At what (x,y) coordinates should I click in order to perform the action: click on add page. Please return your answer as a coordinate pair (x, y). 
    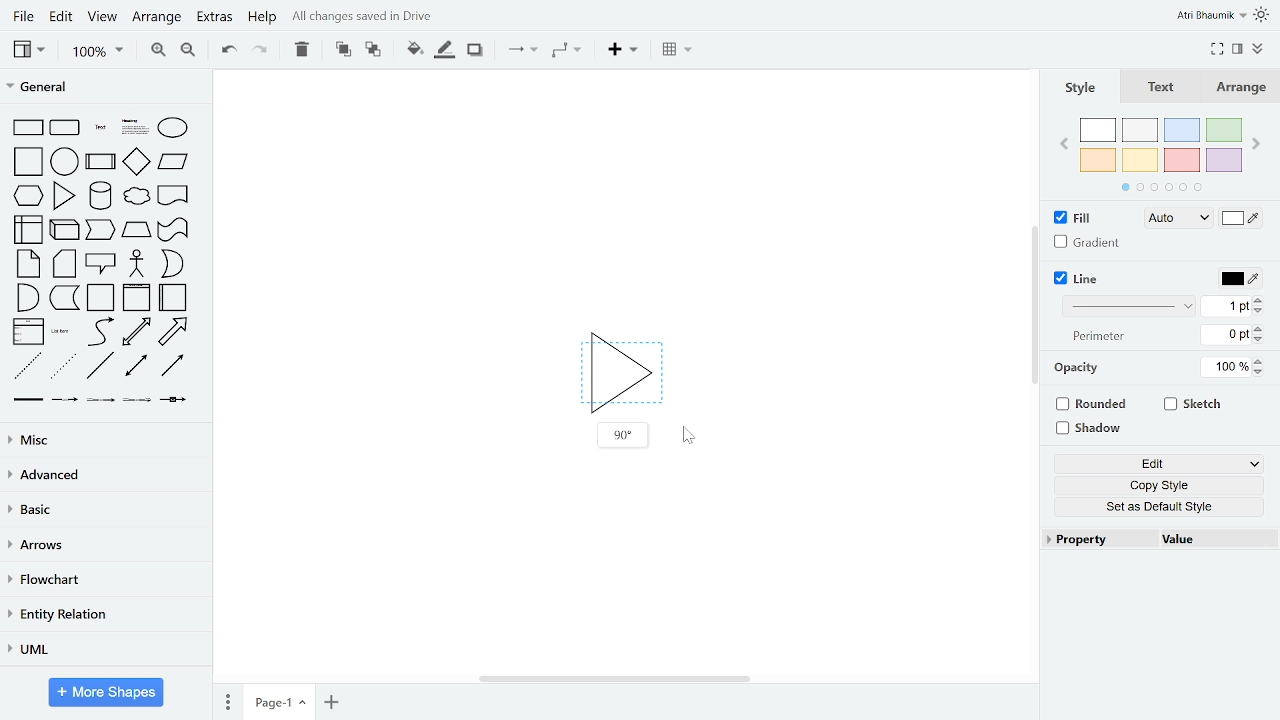
    Looking at the image, I should click on (330, 700).